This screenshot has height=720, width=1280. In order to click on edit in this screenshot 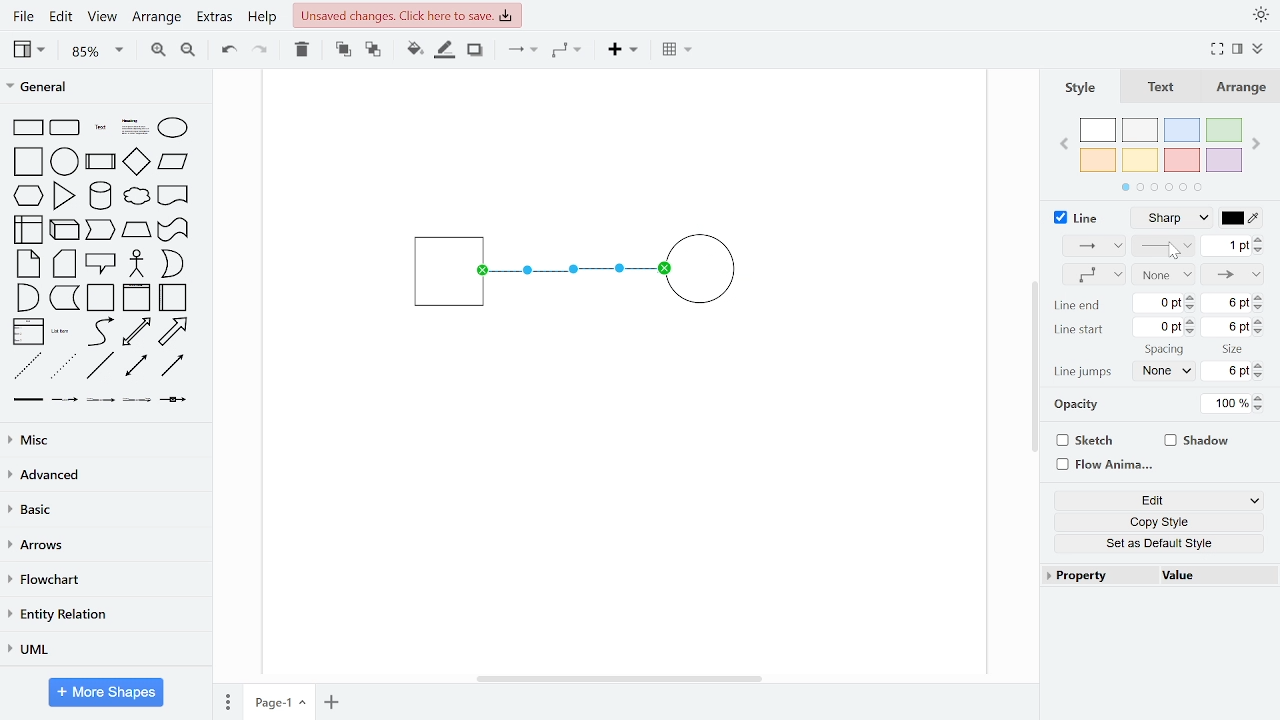, I will do `click(1162, 499)`.